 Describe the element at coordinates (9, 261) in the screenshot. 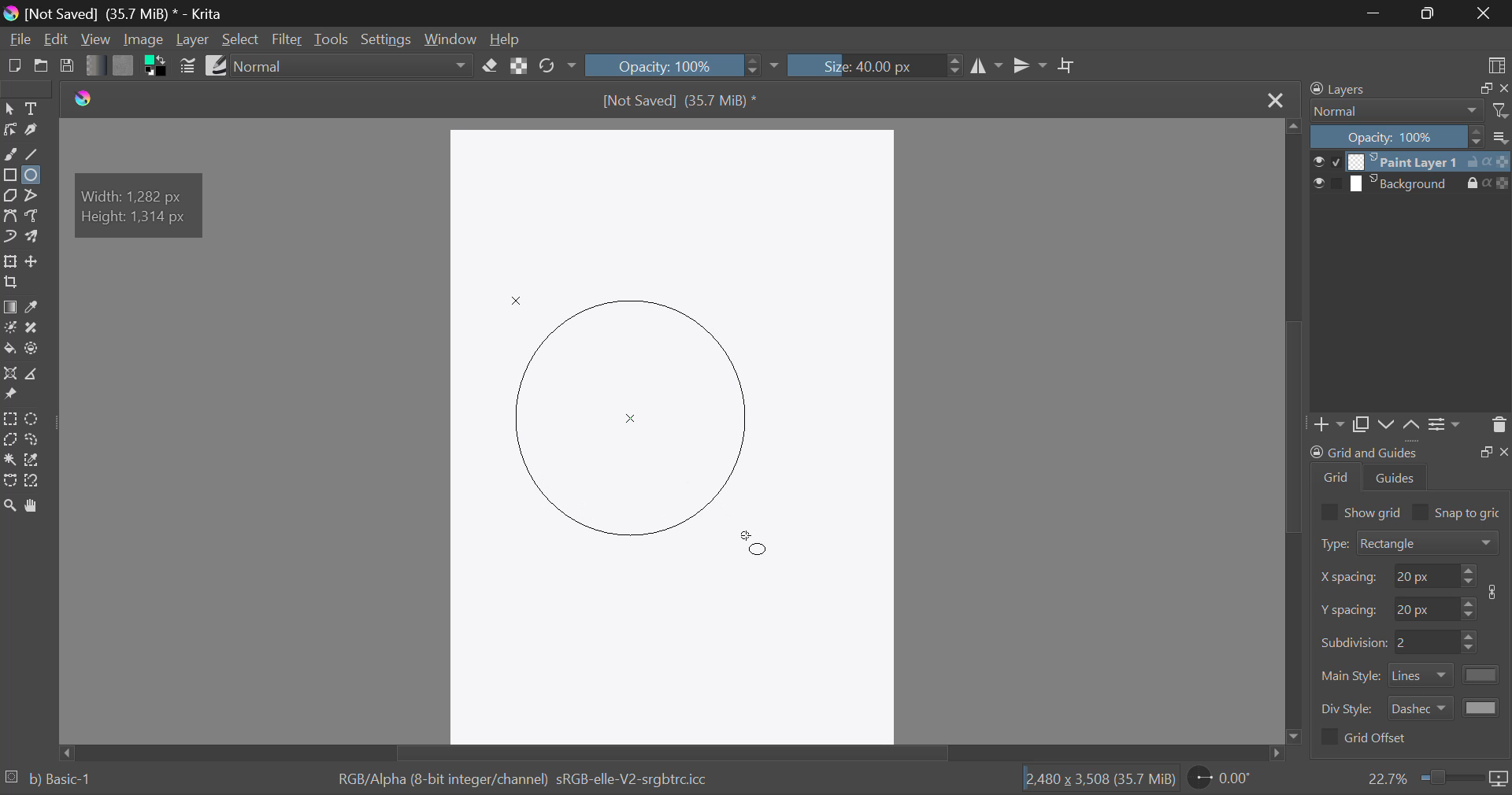

I see `Transform Layer` at that location.